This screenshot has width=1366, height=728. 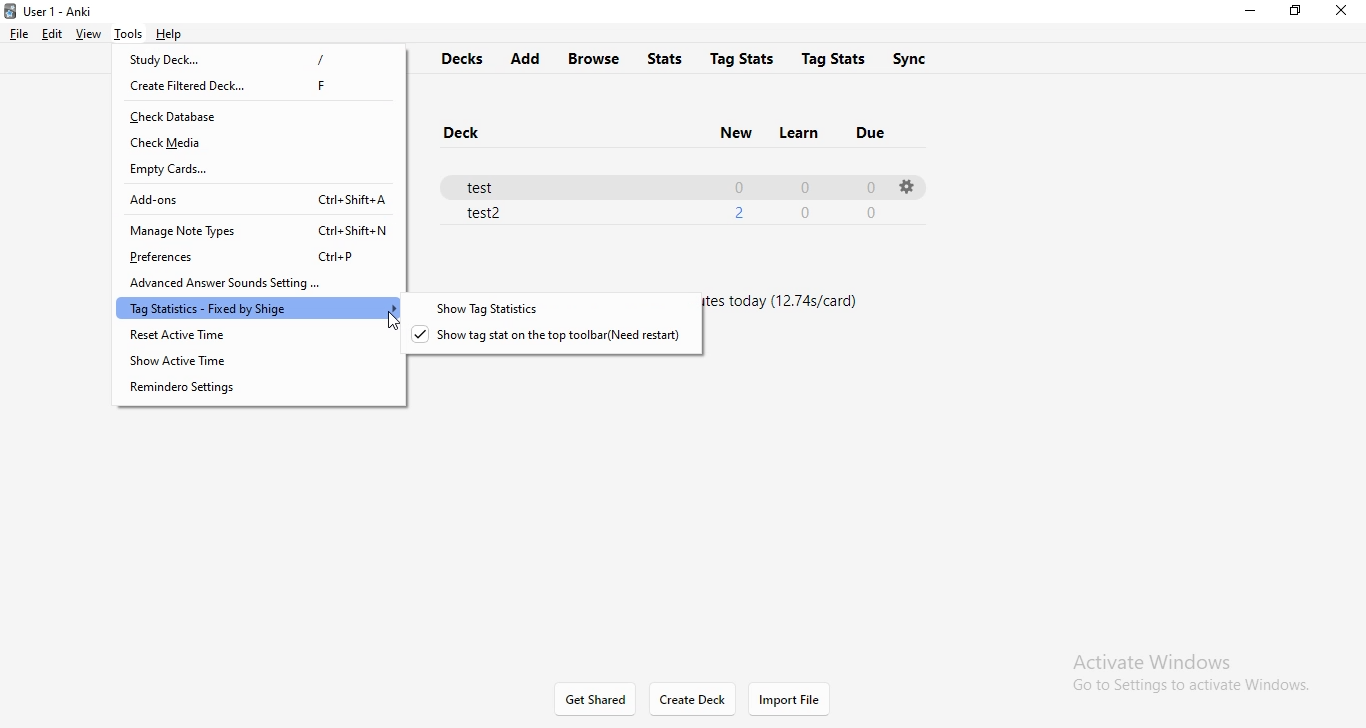 What do you see at coordinates (257, 228) in the screenshot?
I see `manage note types` at bounding box center [257, 228].